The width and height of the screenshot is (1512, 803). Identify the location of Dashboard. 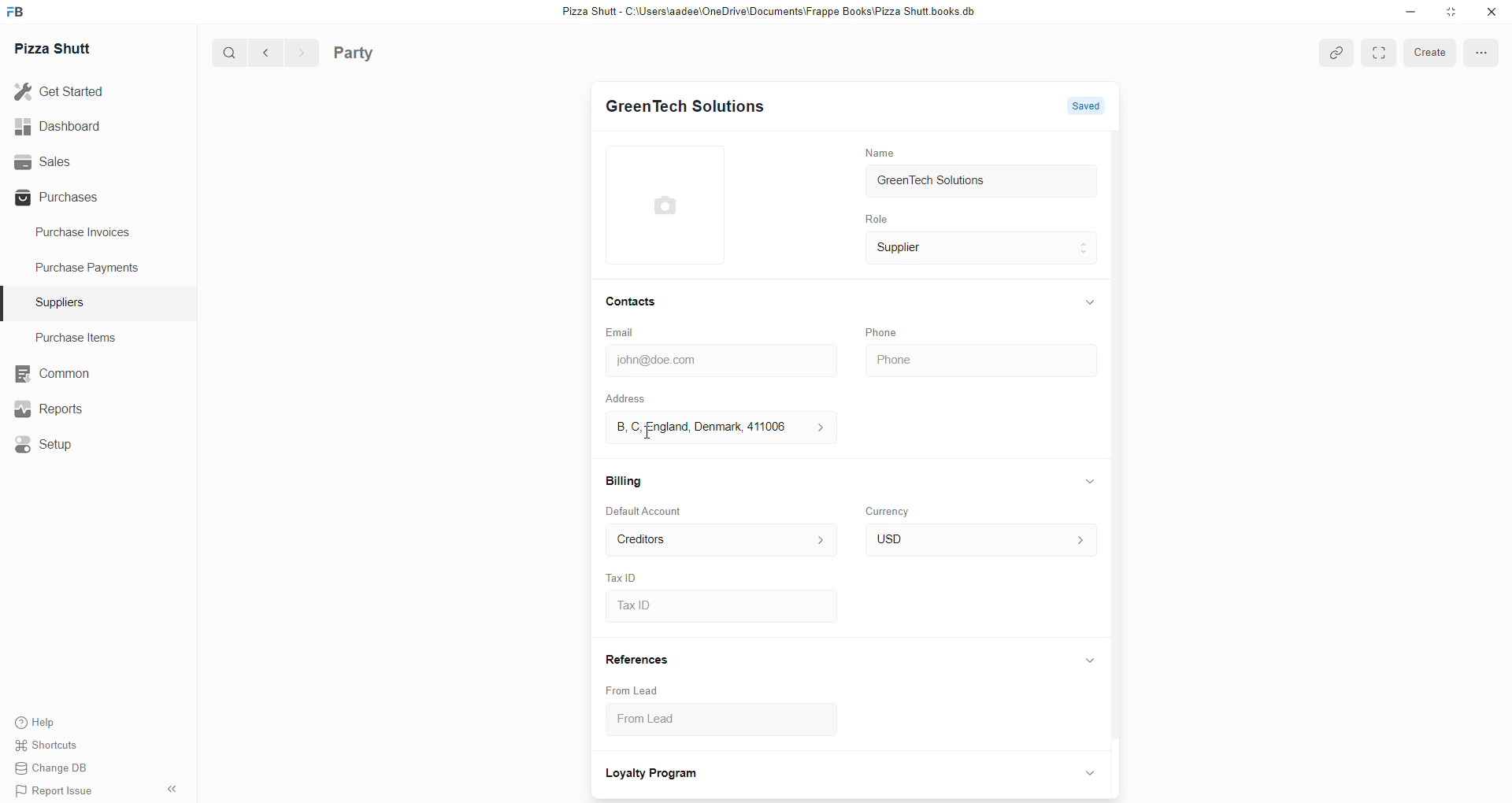
(76, 127).